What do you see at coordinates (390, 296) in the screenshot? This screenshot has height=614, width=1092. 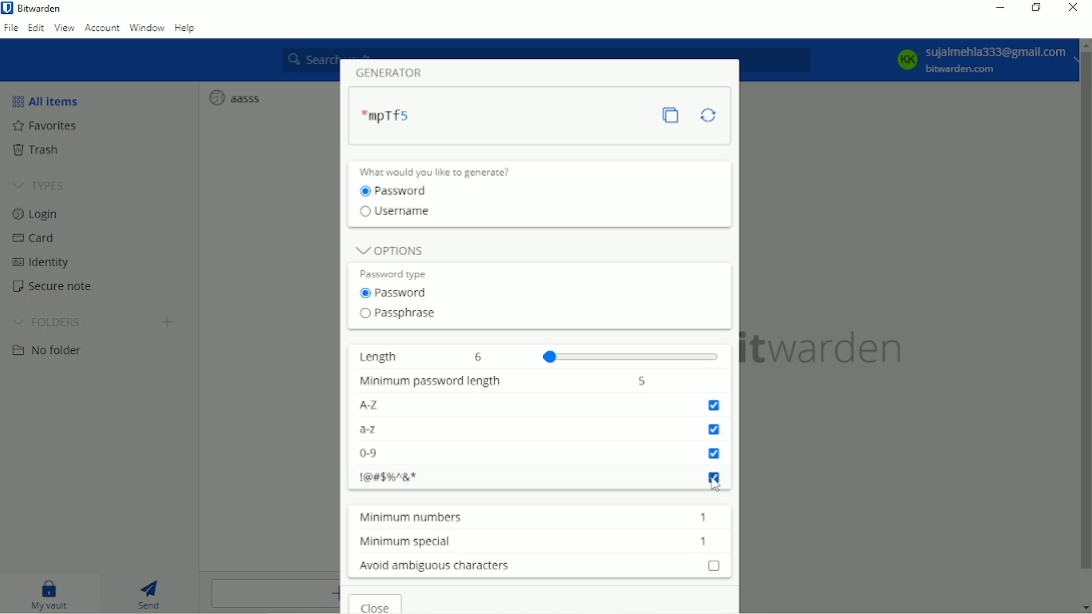 I see `password radio button` at bounding box center [390, 296].